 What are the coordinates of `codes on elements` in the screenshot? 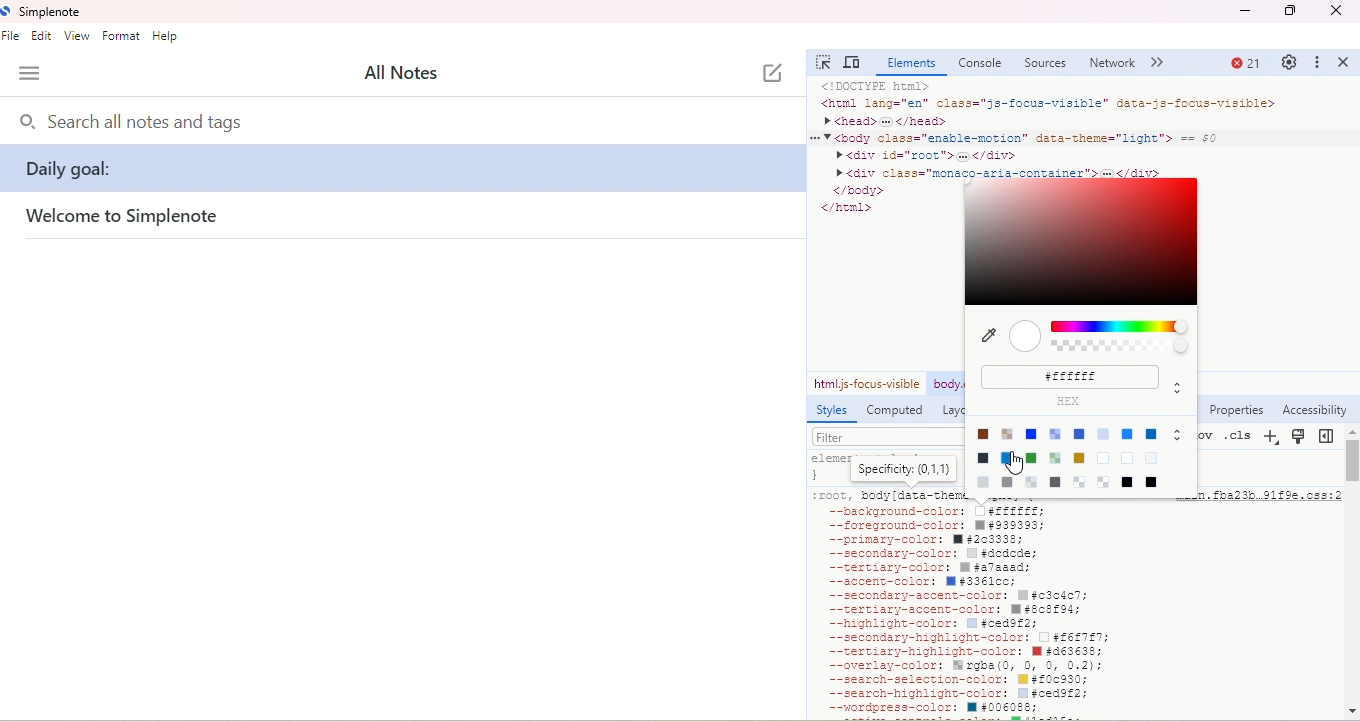 It's located at (1068, 127).